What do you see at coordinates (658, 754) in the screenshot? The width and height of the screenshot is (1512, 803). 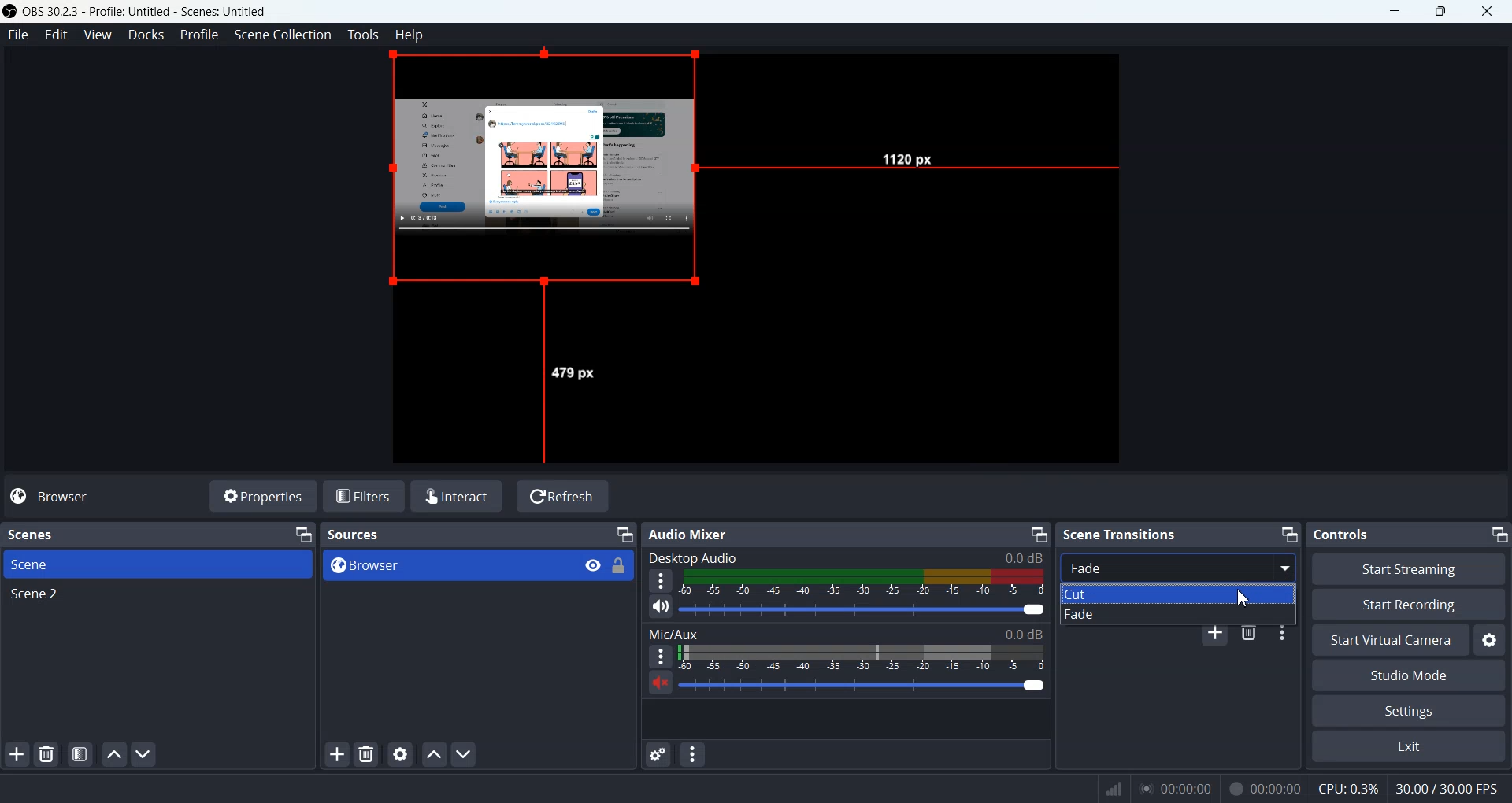 I see `Advance audio Properties` at bounding box center [658, 754].